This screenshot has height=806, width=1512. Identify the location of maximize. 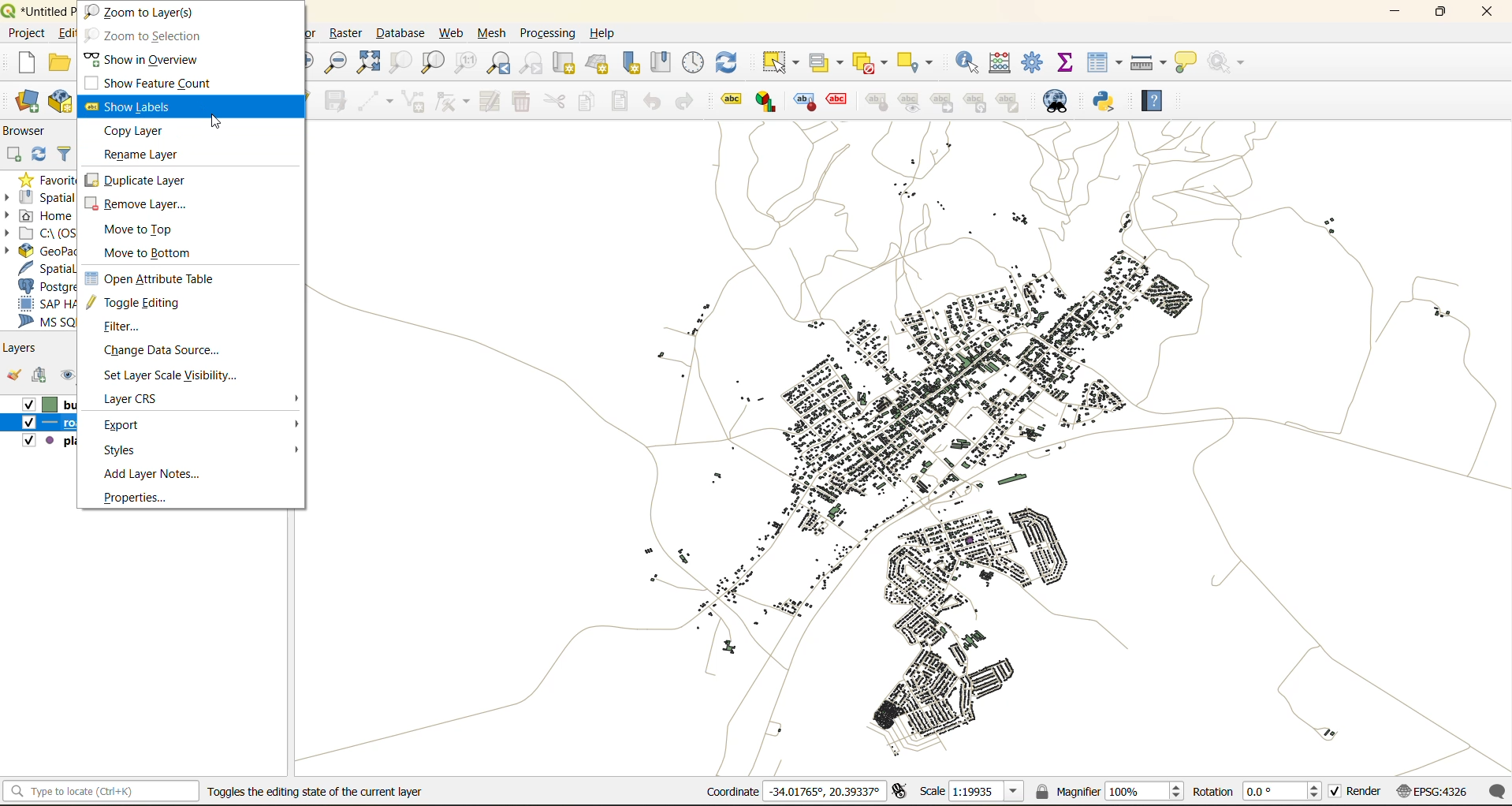
(1440, 13).